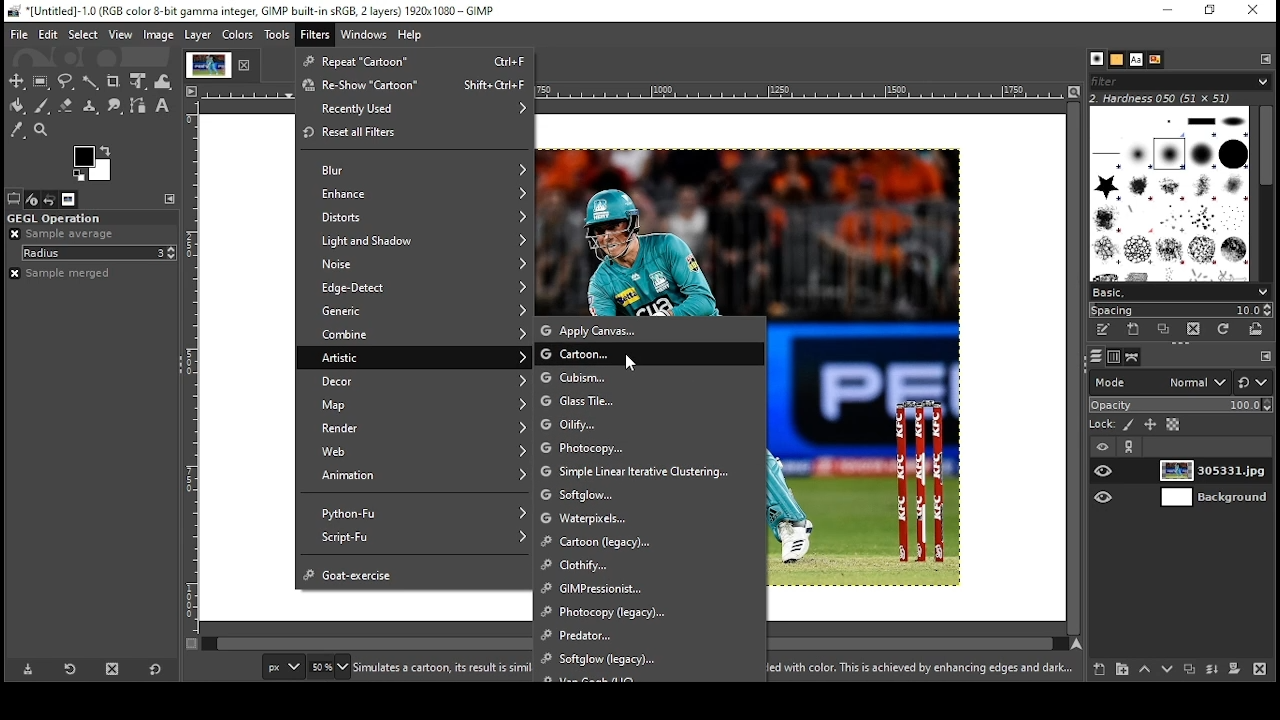  What do you see at coordinates (1164, 330) in the screenshot?
I see `duplicate brush` at bounding box center [1164, 330].